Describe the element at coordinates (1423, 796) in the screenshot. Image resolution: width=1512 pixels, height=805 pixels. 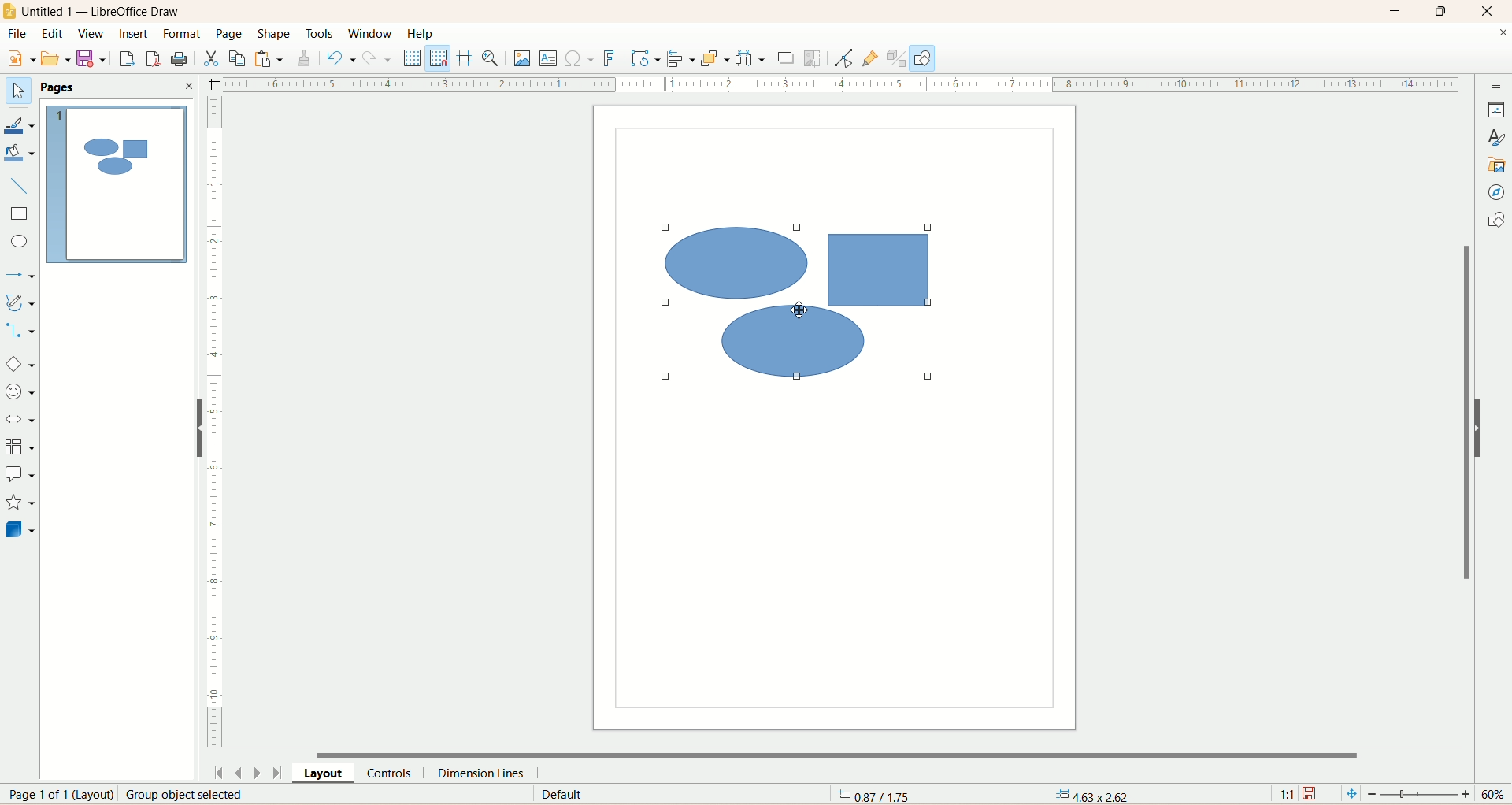
I see `zoom slider` at that location.